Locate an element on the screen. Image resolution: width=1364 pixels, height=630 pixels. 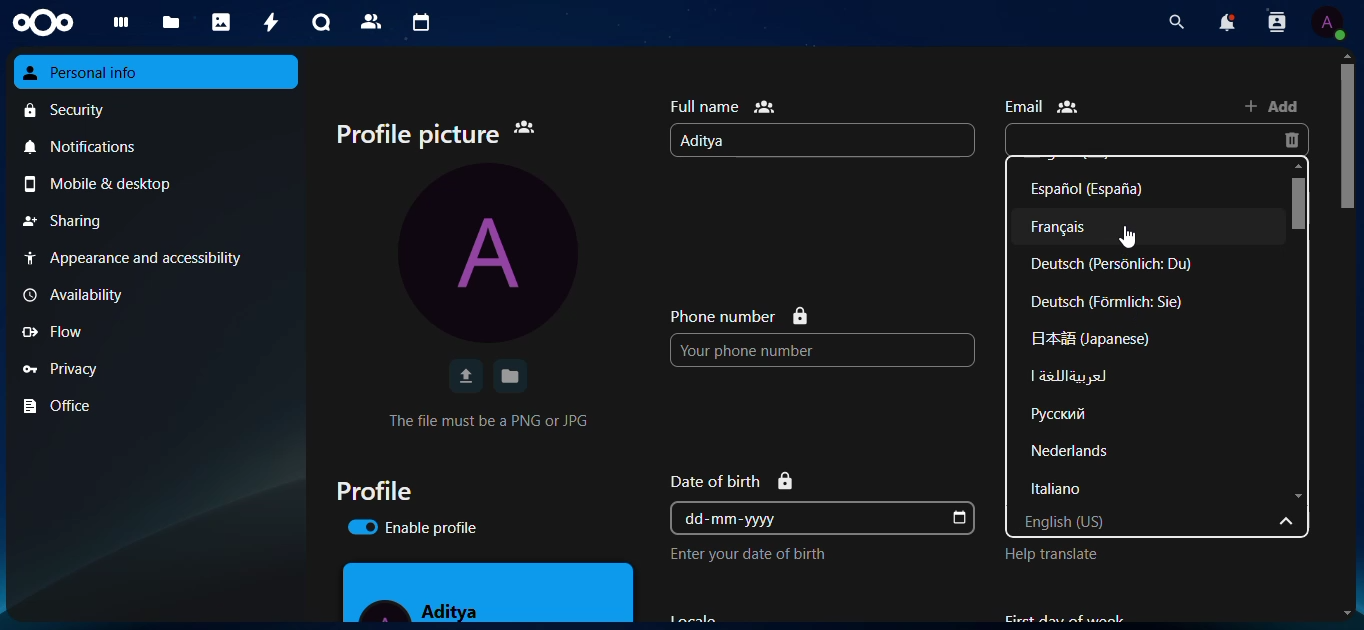
deutsch is located at coordinates (1120, 264).